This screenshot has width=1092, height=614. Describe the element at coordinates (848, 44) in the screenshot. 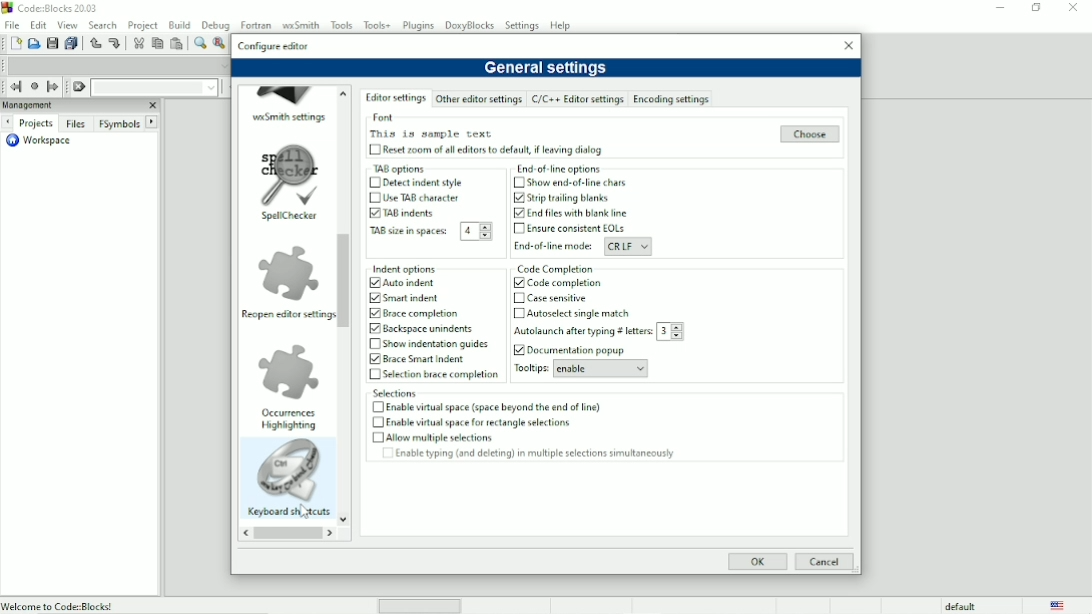

I see `Close` at that location.